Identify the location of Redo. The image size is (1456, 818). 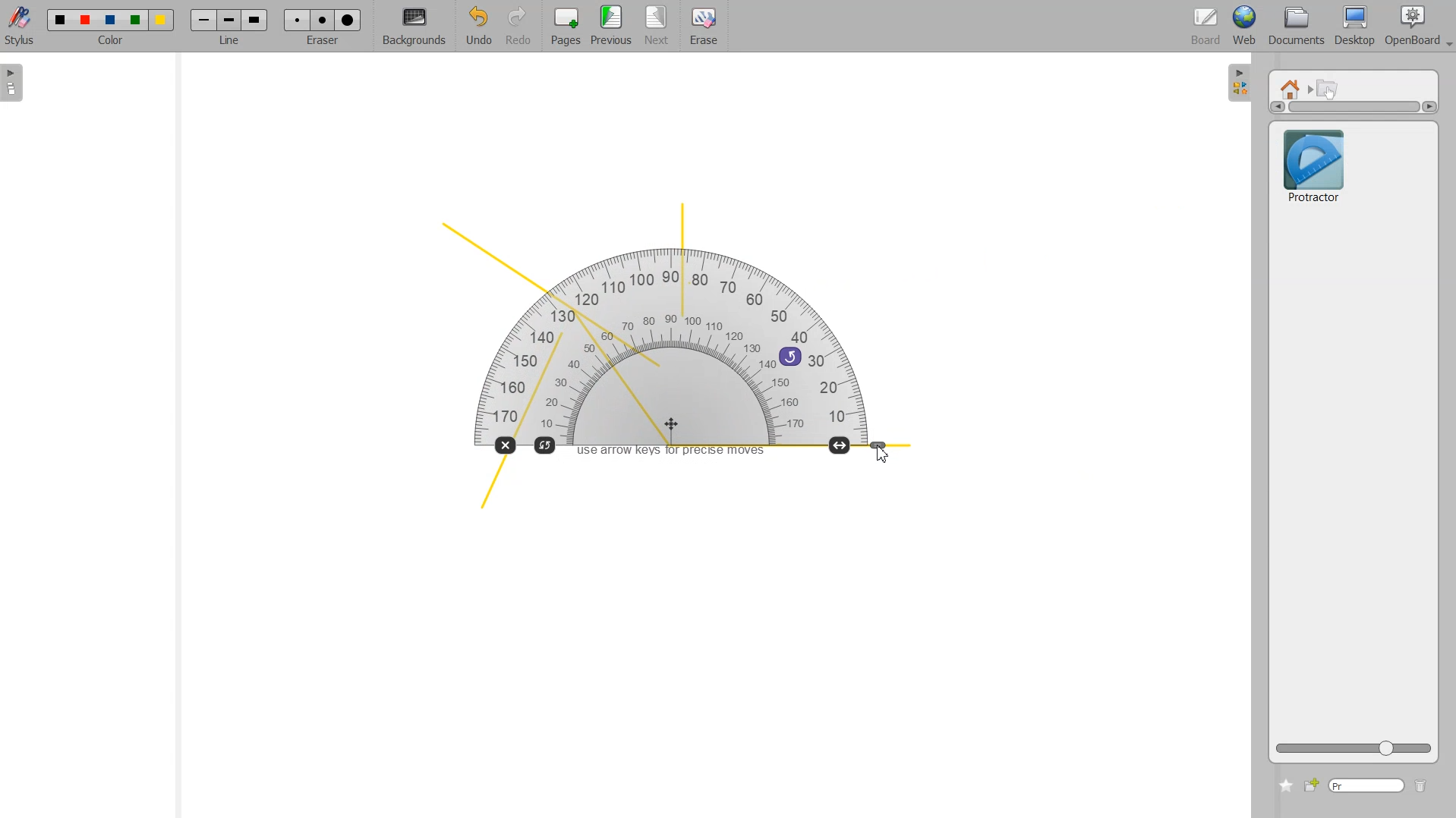
(518, 27).